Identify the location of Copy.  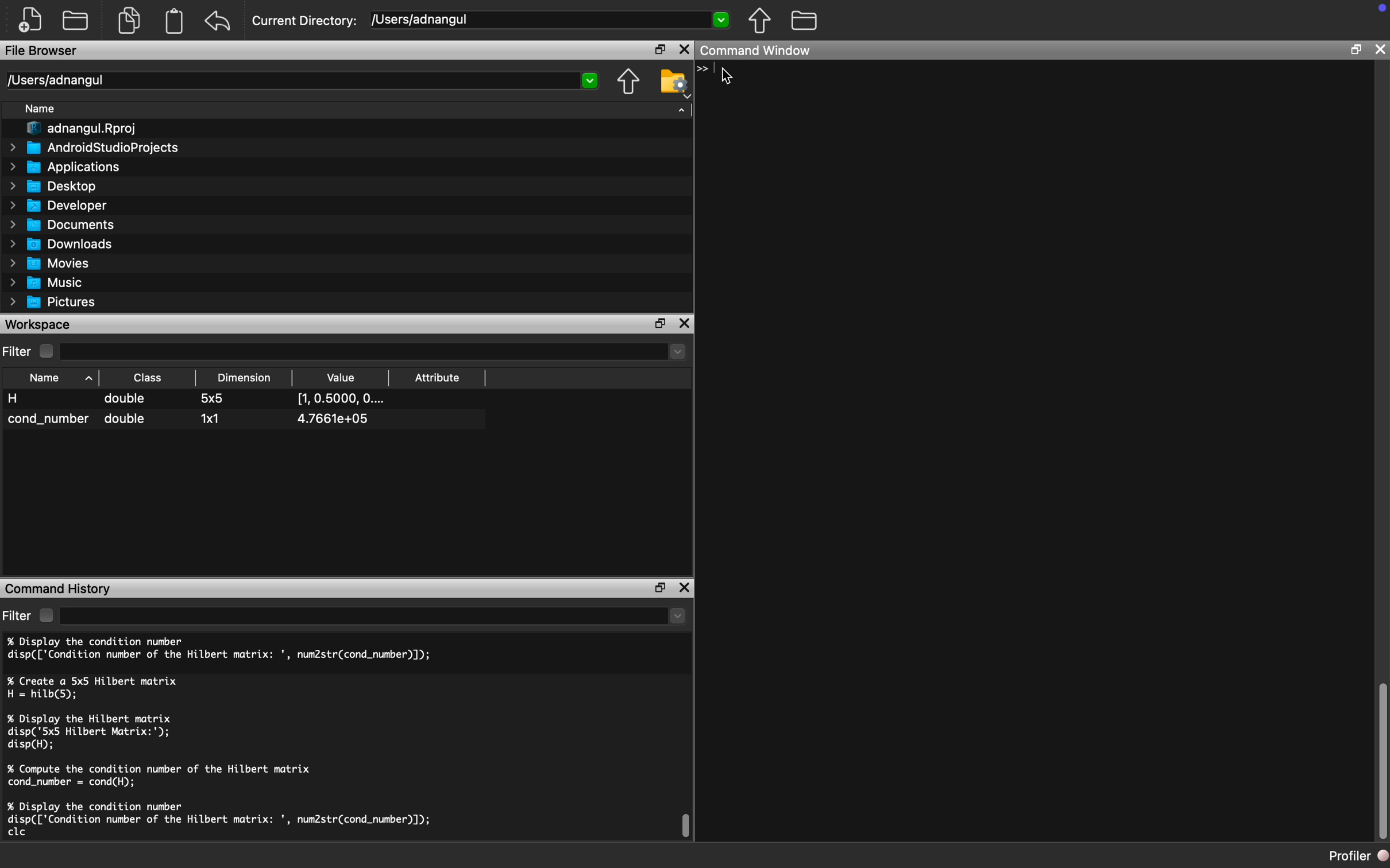
(128, 18).